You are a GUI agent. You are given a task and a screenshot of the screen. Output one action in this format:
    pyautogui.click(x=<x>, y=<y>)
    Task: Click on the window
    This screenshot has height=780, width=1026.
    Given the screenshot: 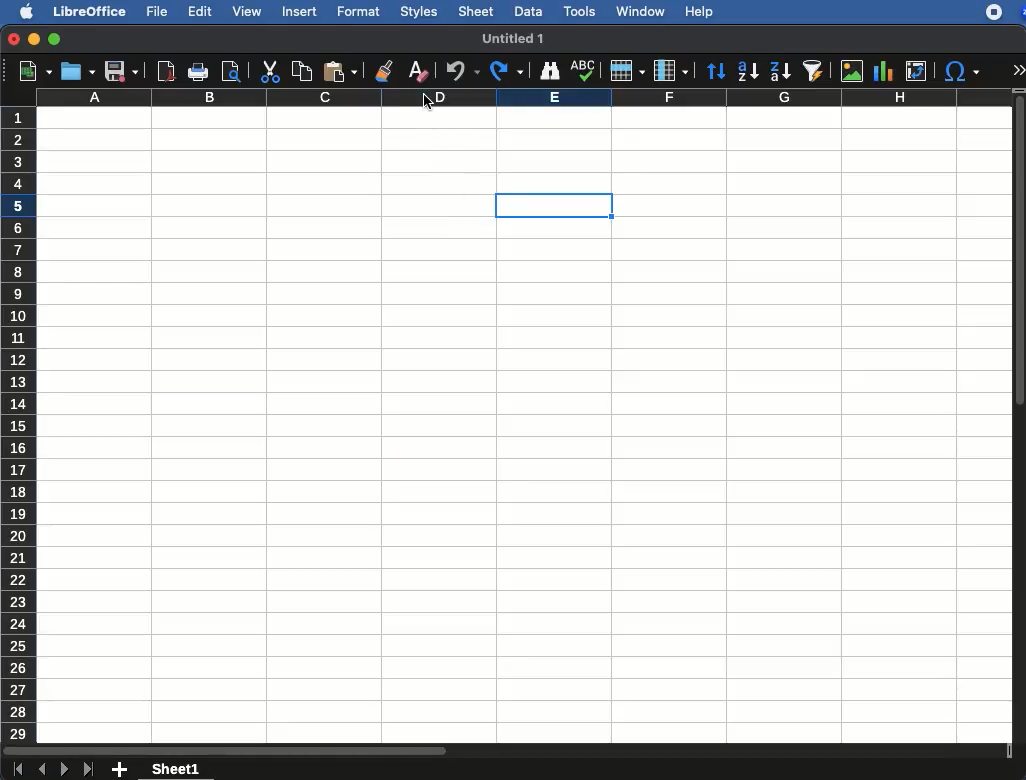 What is the action you would take?
    pyautogui.click(x=639, y=11)
    